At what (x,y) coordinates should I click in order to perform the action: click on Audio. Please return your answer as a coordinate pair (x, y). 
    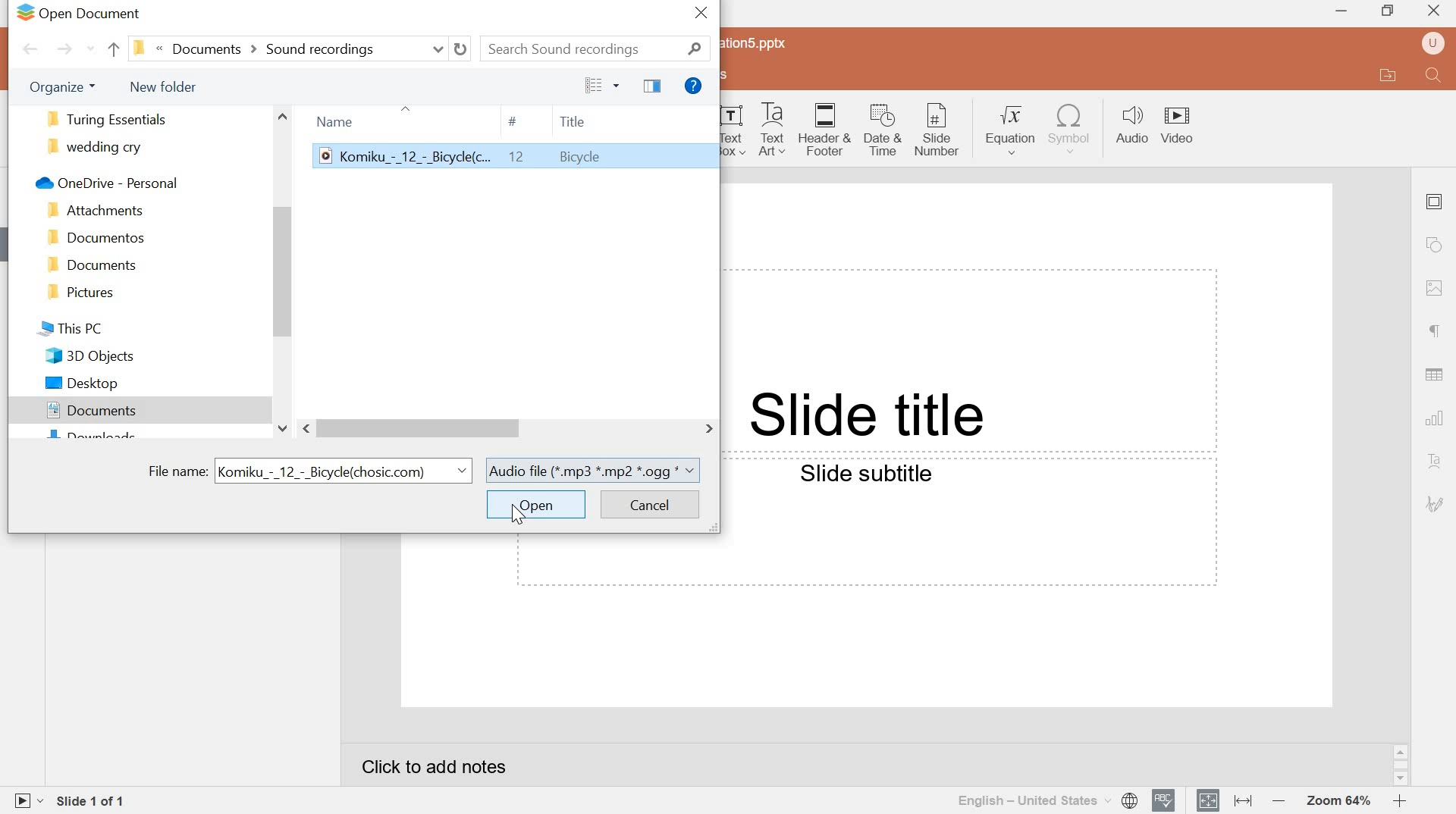
    Looking at the image, I should click on (1129, 124).